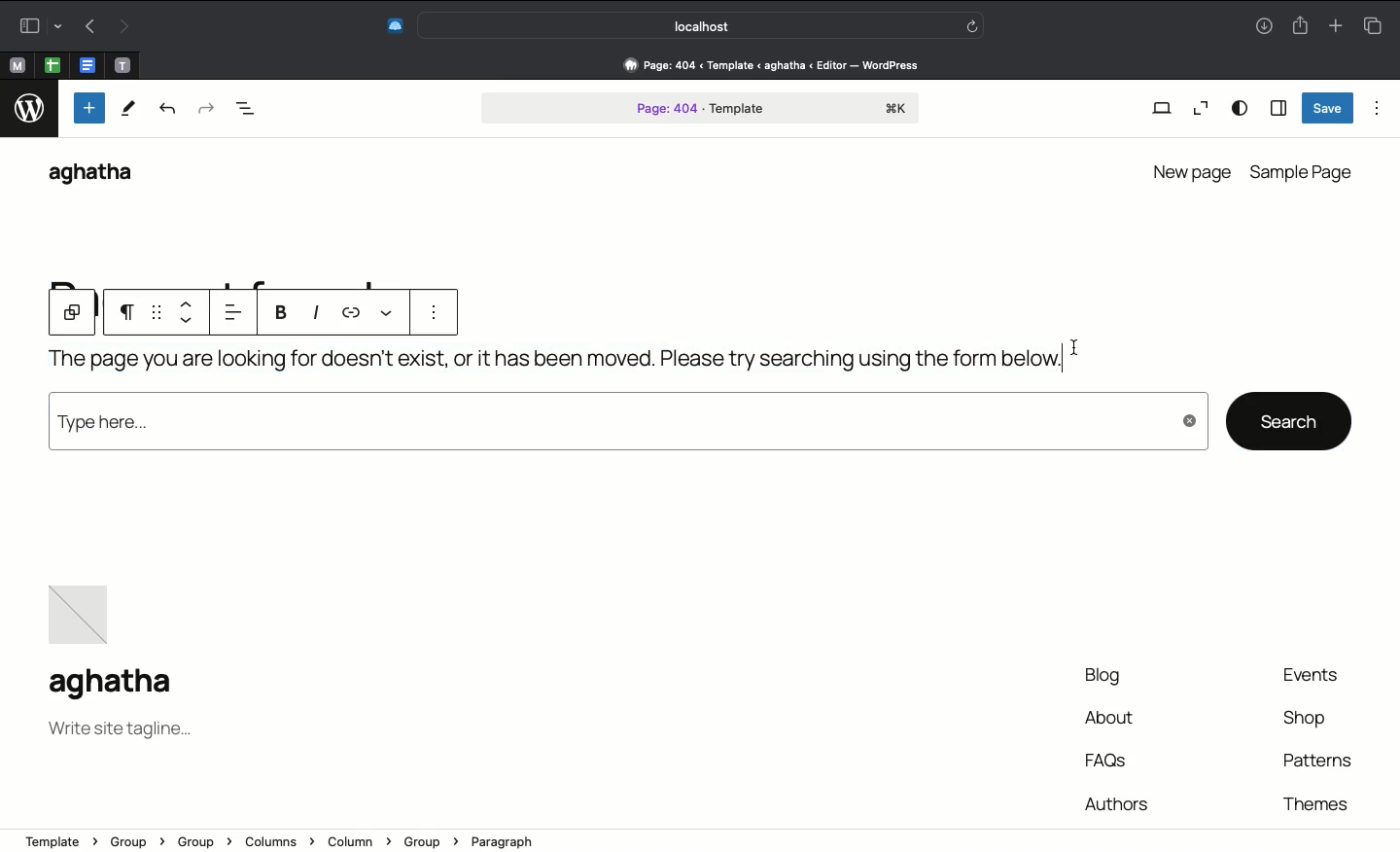 The height and width of the screenshot is (852, 1400). What do you see at coordinates (281, 316) in the screenshot?
I see `Bold` at bounding box center [281, 316].